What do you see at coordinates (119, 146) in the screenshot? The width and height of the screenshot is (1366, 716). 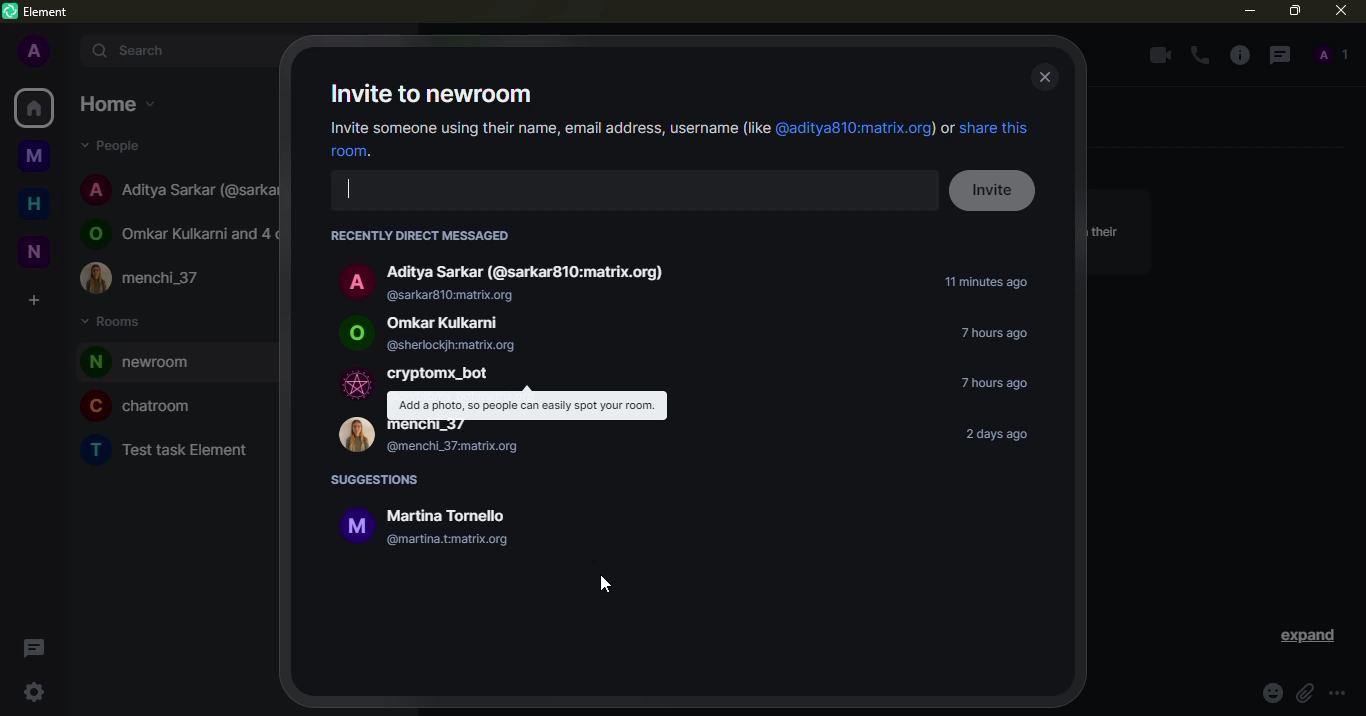 I see `people` at bounding box center [119, 146].